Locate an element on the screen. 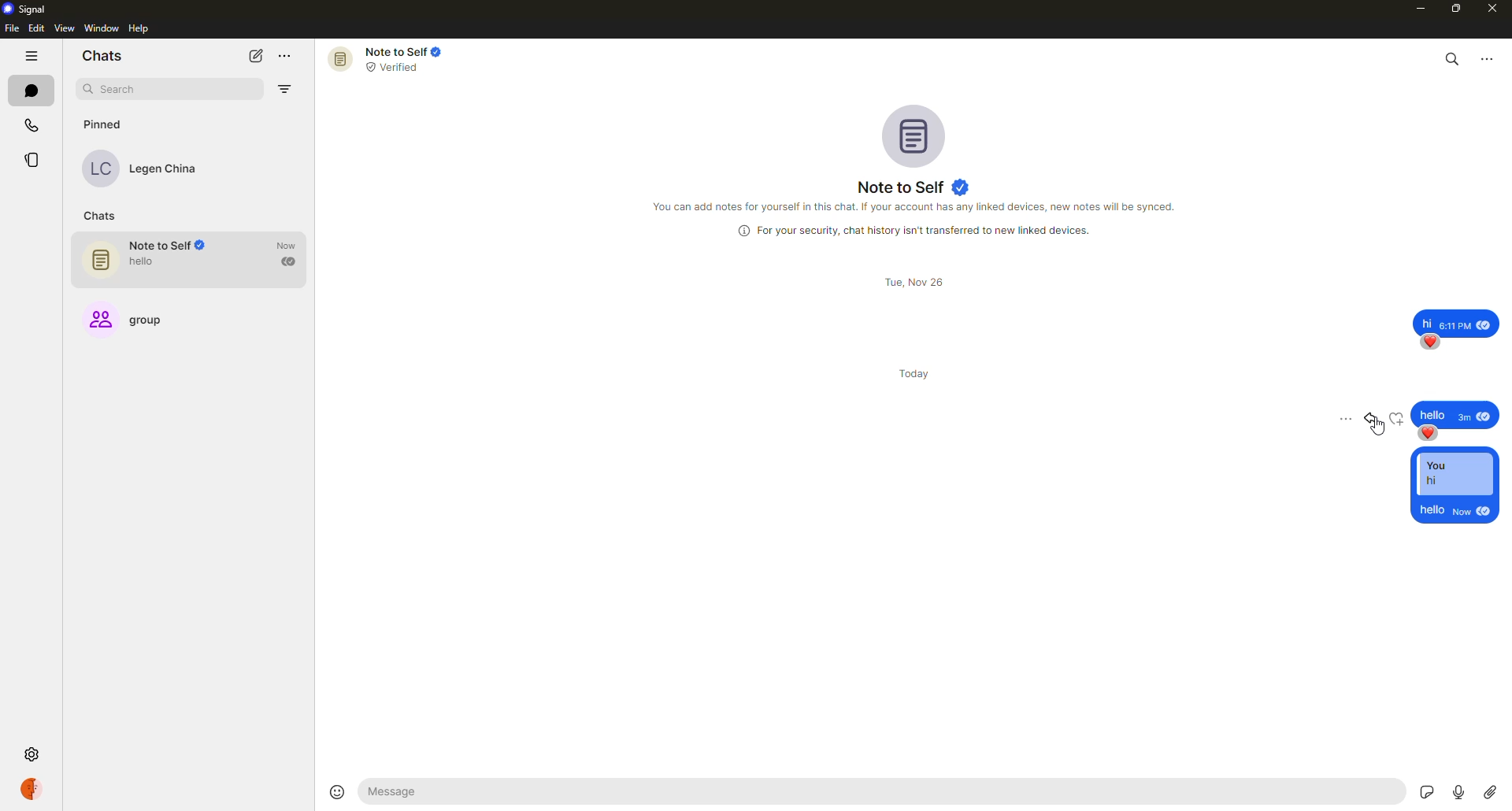 This screenshot has width=1512, height=811. reaction is located at coordinates (1432, 343).